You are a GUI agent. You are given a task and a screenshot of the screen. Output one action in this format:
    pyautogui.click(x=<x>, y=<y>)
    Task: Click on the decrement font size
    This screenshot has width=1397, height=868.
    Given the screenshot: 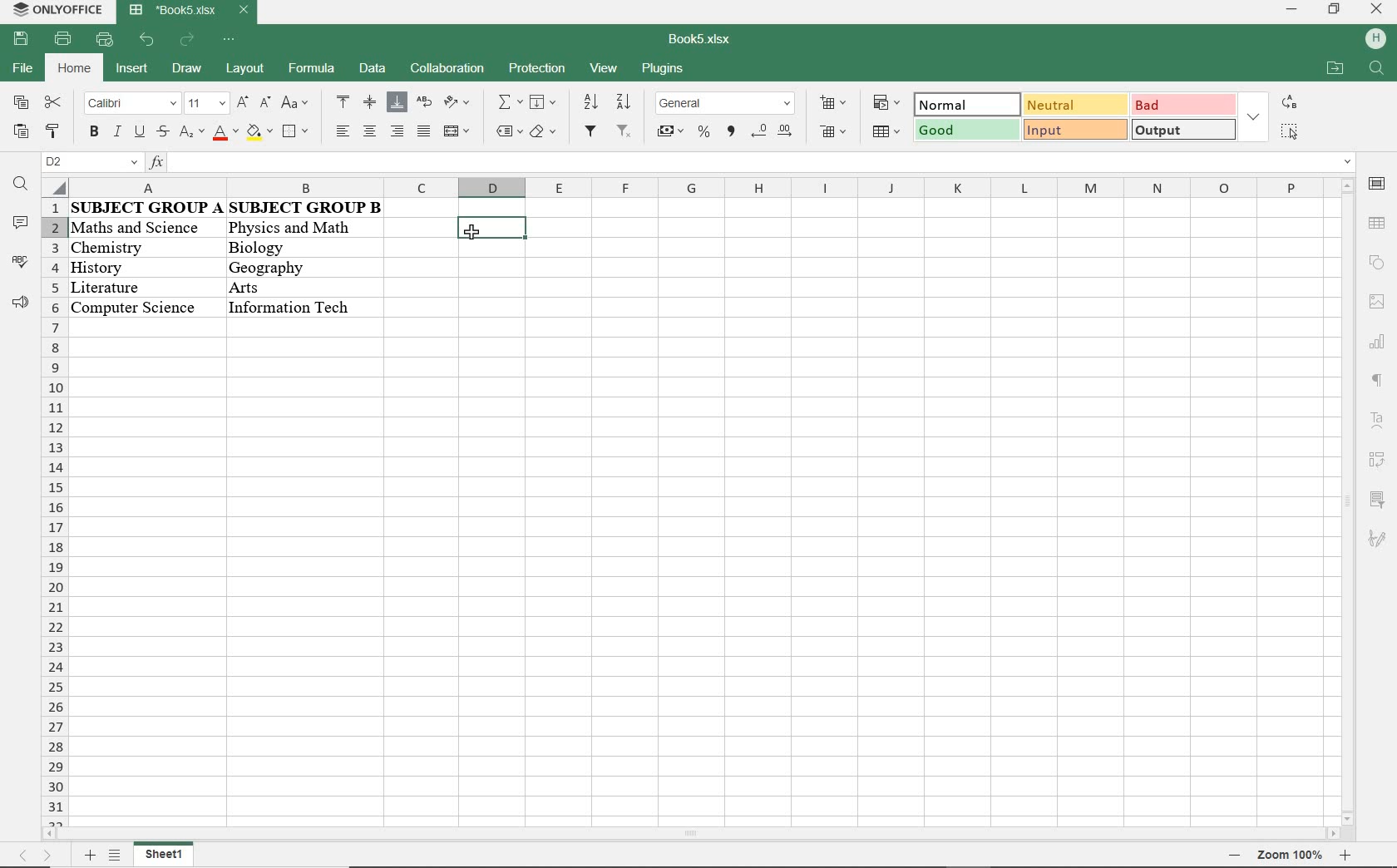 What is the action you would take?
    pyautogui.click(x=264, y=102)
    